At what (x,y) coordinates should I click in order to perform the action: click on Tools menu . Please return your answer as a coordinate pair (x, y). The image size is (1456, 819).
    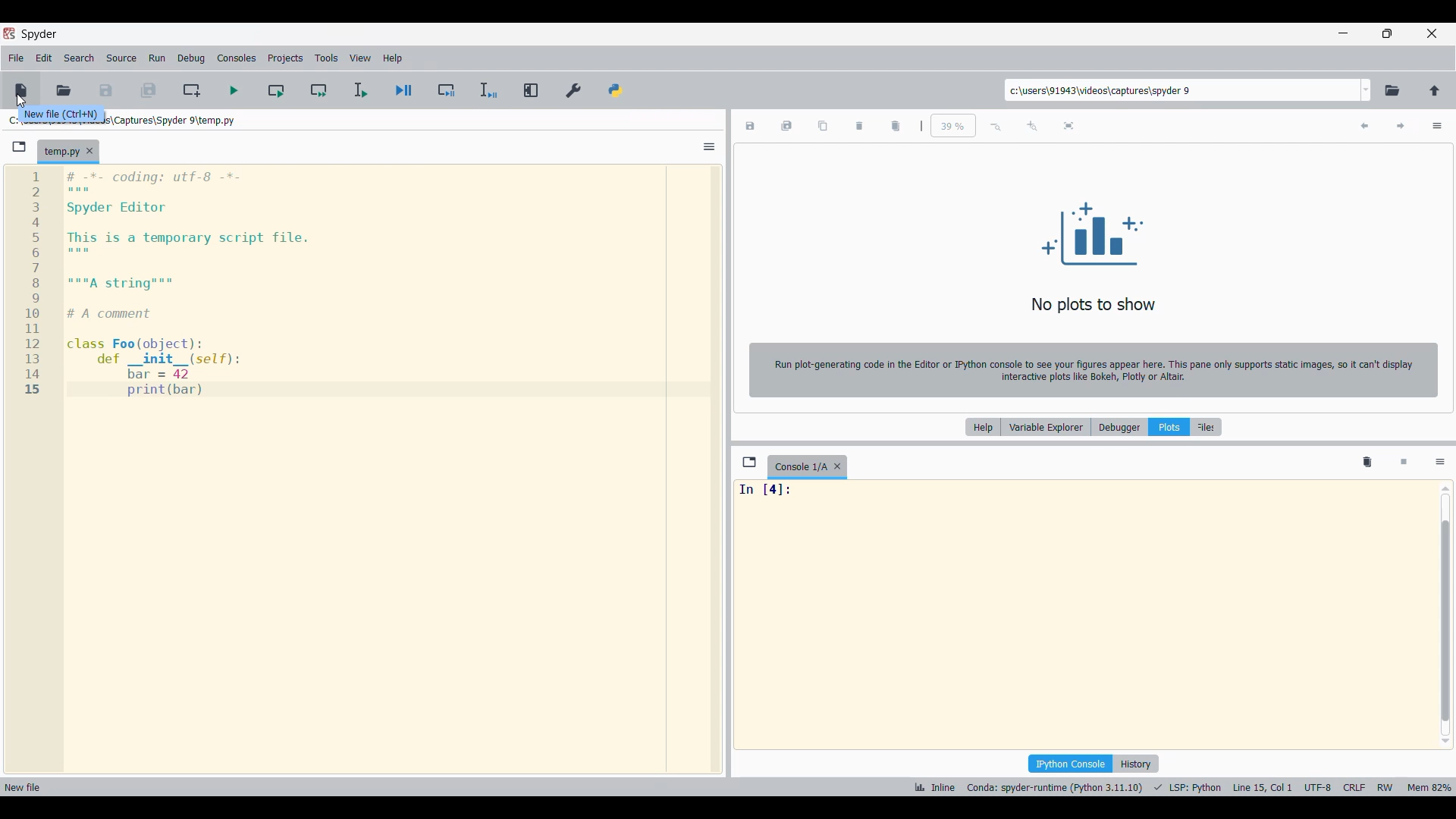
    Looking at the image, I should click on (326, 58).